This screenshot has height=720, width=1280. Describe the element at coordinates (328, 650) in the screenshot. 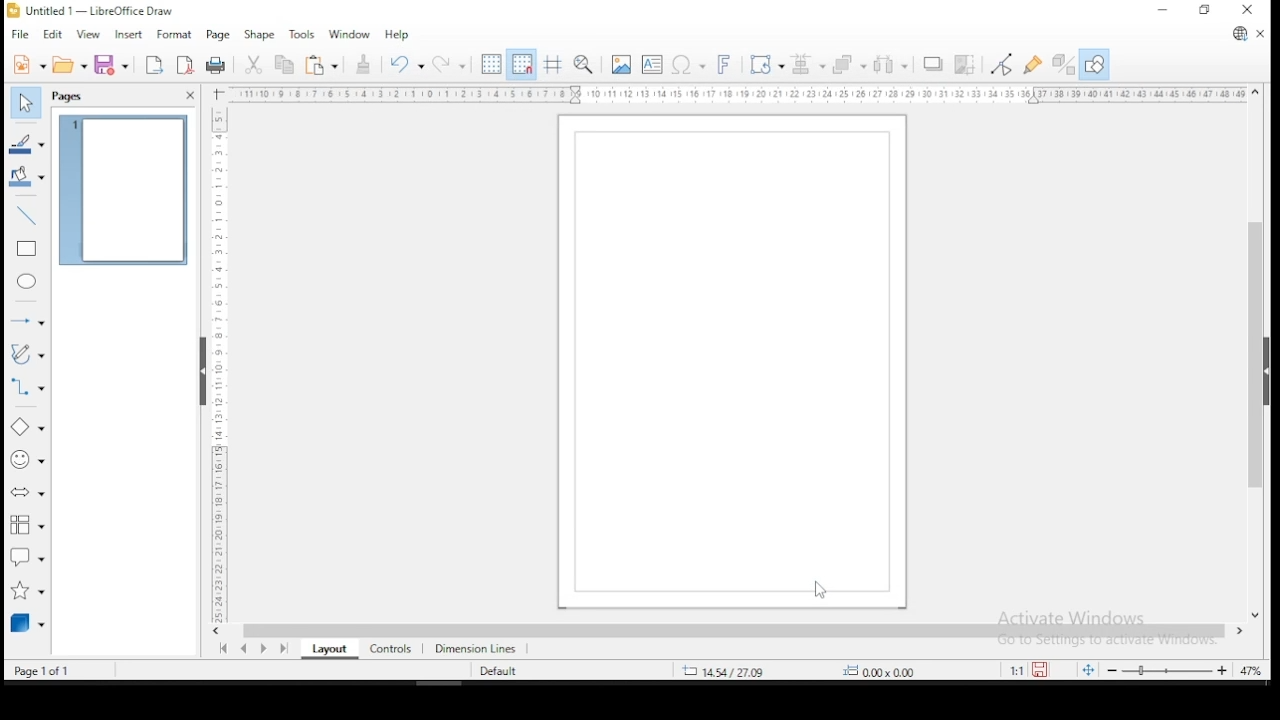

I see `layout` at that location.